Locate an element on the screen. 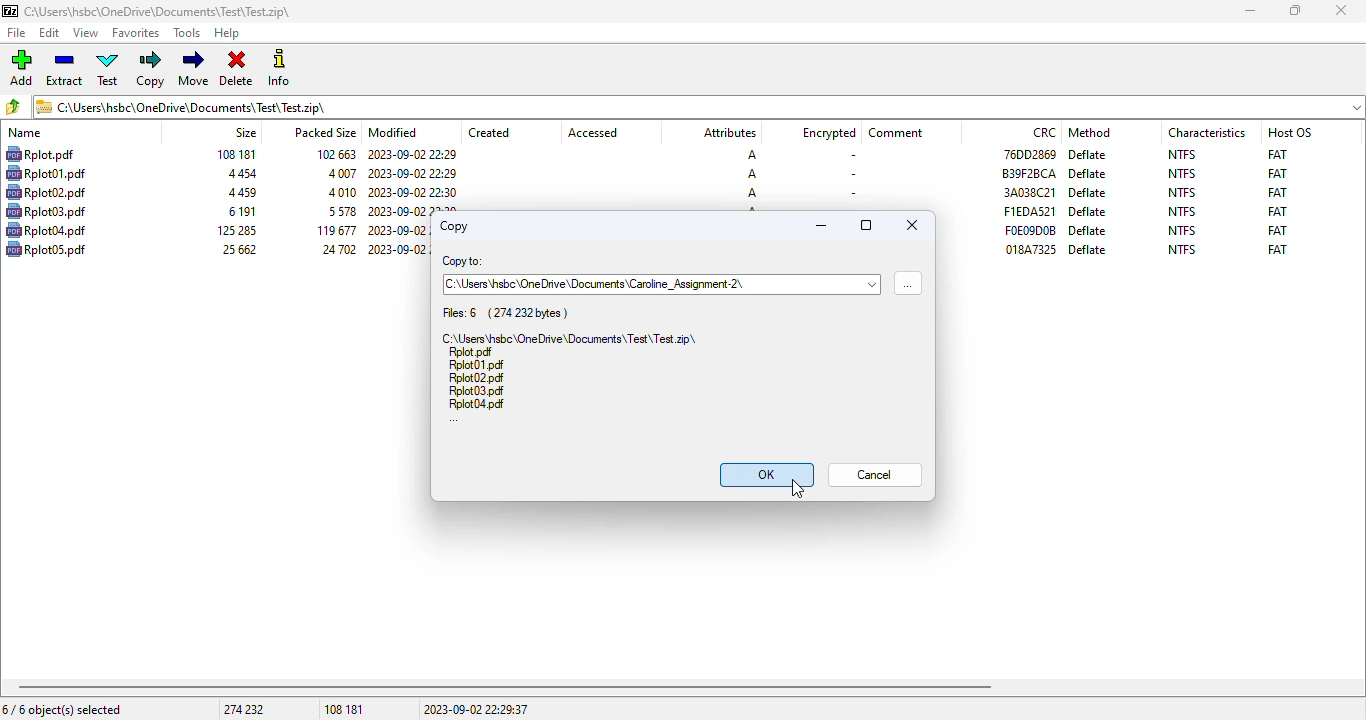 Image resolution: width=1366 pixels, height=720 pixels. horizontal scroll bar is located at coordinates (505, 687).